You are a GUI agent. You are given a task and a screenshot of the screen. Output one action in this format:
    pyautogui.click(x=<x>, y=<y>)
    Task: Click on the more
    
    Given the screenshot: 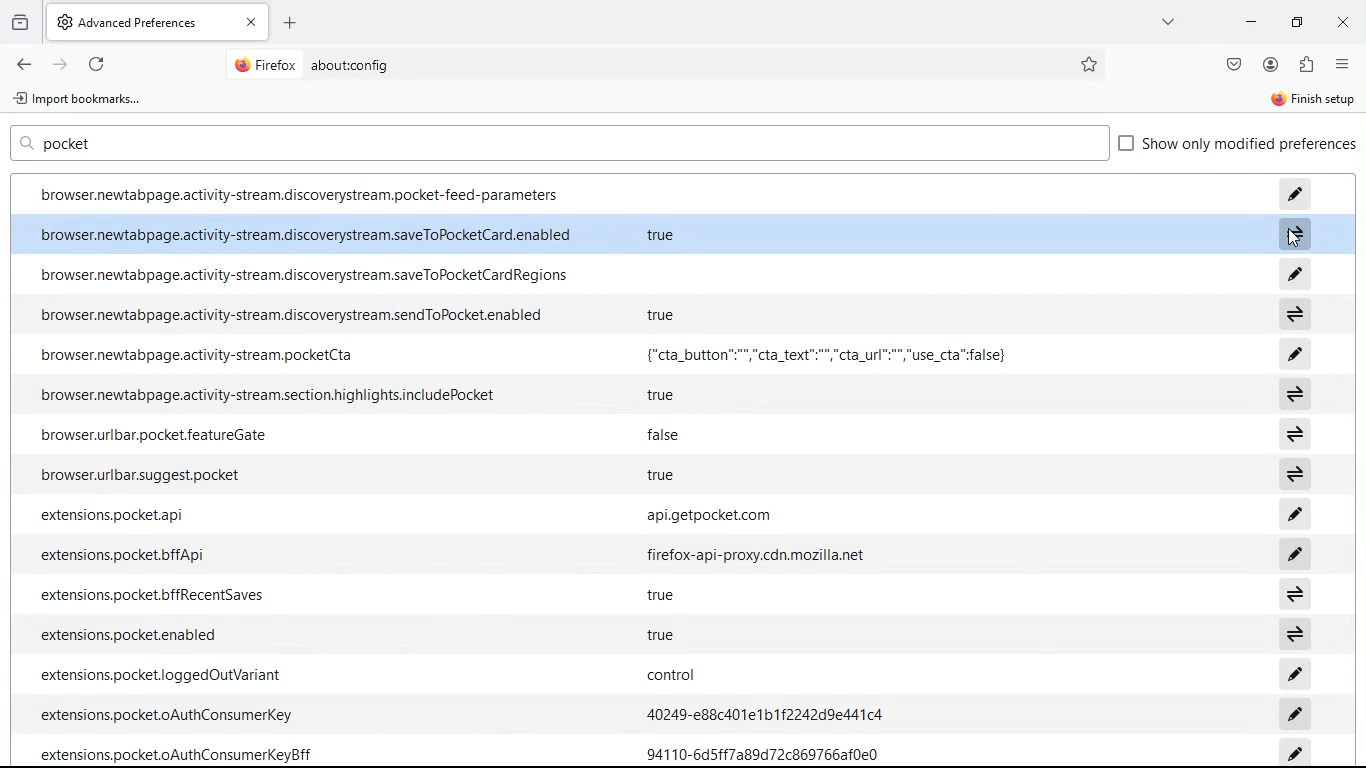 What is the action you would take?
    pyautogui.click(x=1165, y=21)
    